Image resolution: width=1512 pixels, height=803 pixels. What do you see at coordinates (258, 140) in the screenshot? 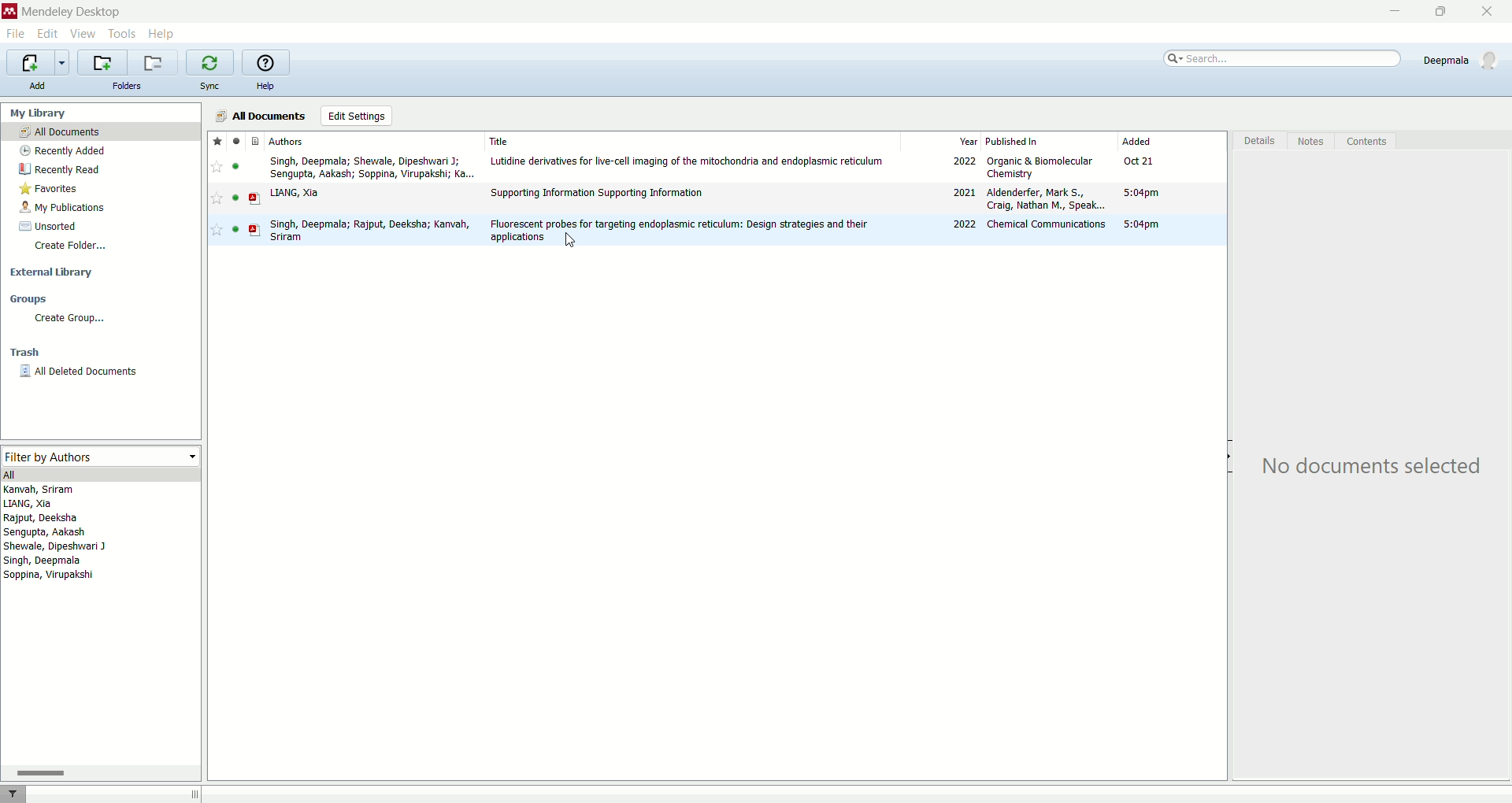
I see `document` at bounding box center [258, 140].